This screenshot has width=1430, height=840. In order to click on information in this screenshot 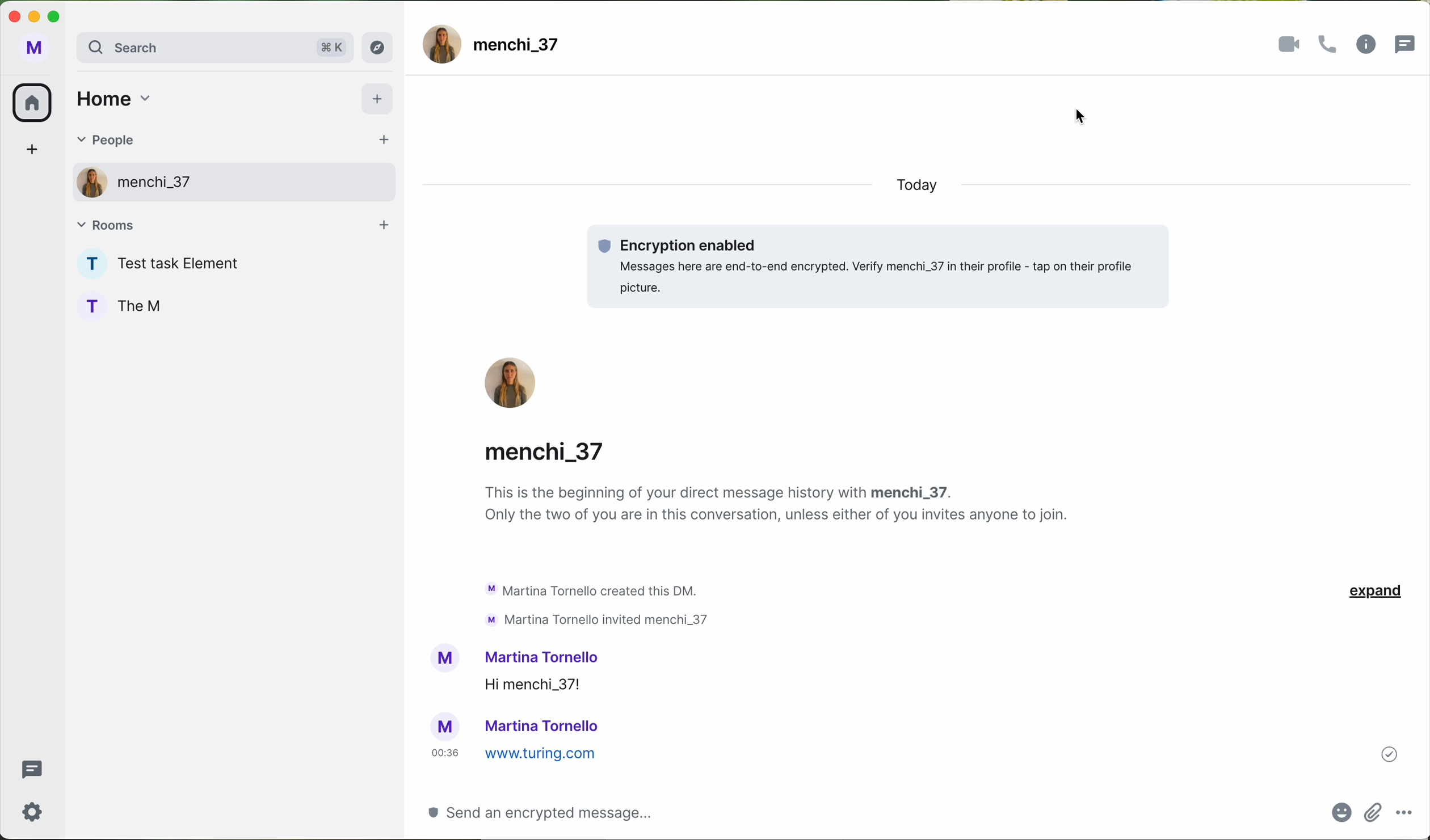, I will do `click(1366, 45)`.